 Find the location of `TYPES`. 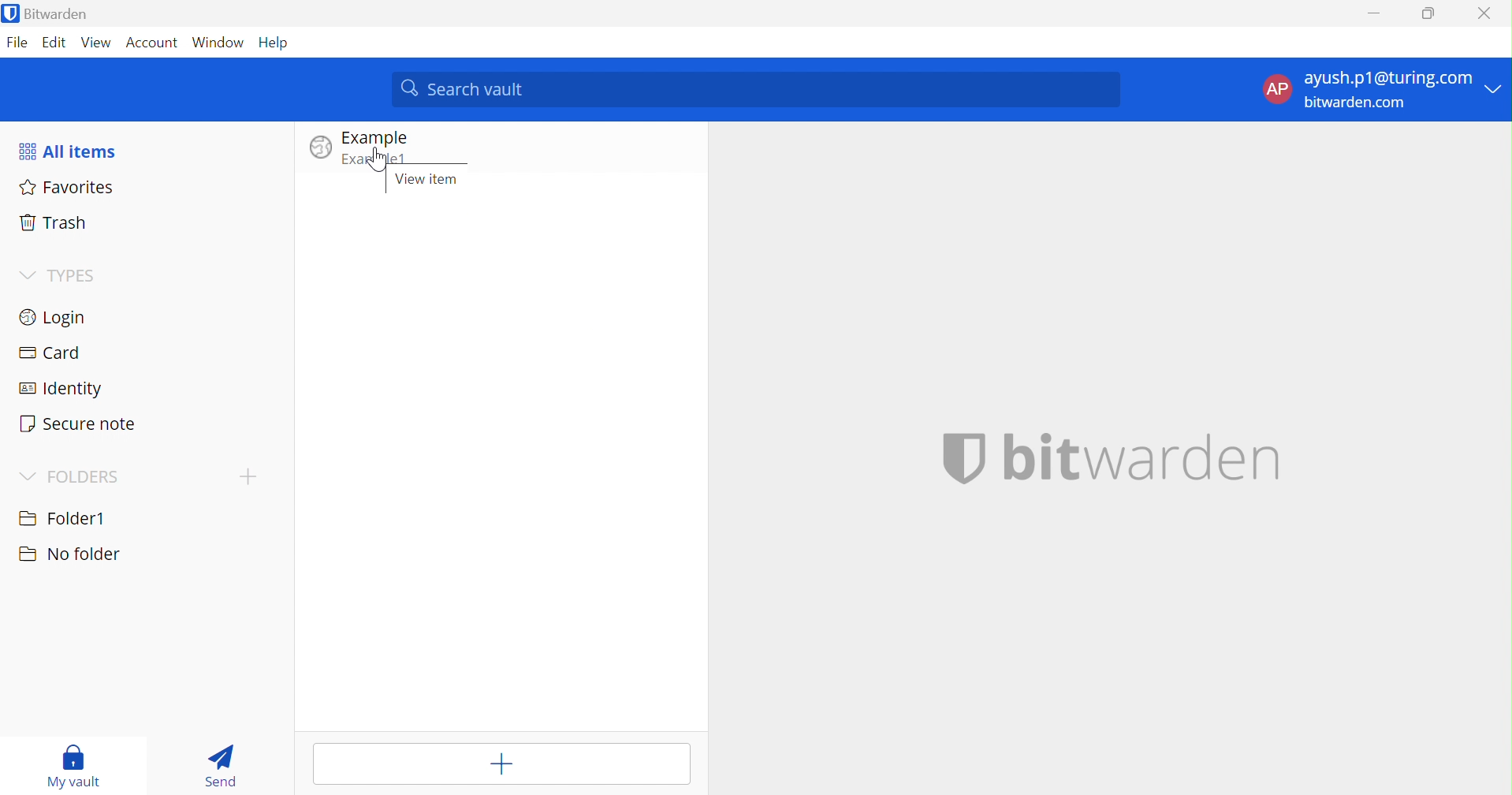

TYPES is located at coordinates (74, 277).